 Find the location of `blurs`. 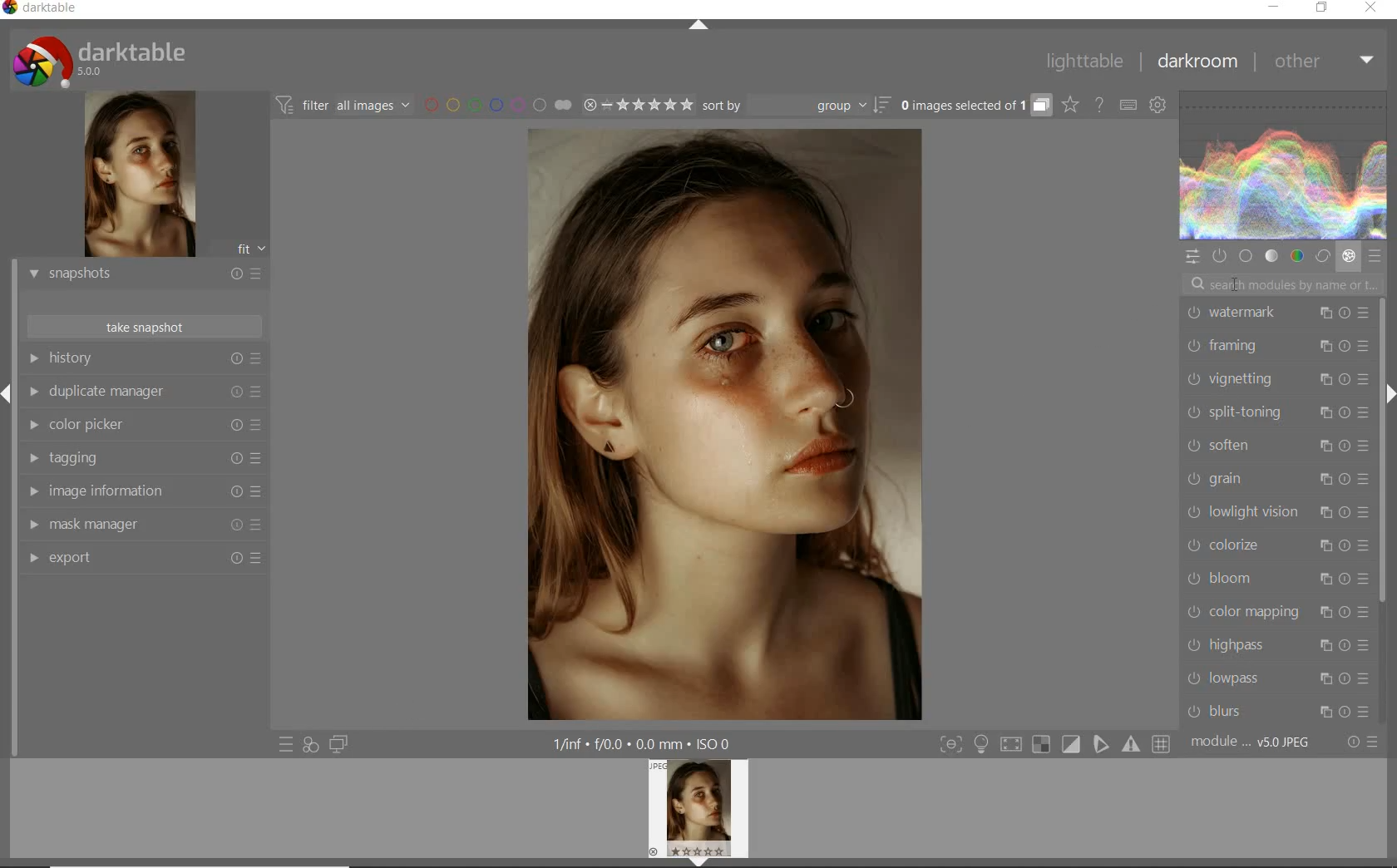

blurs is located at coordinates (1279, 708).